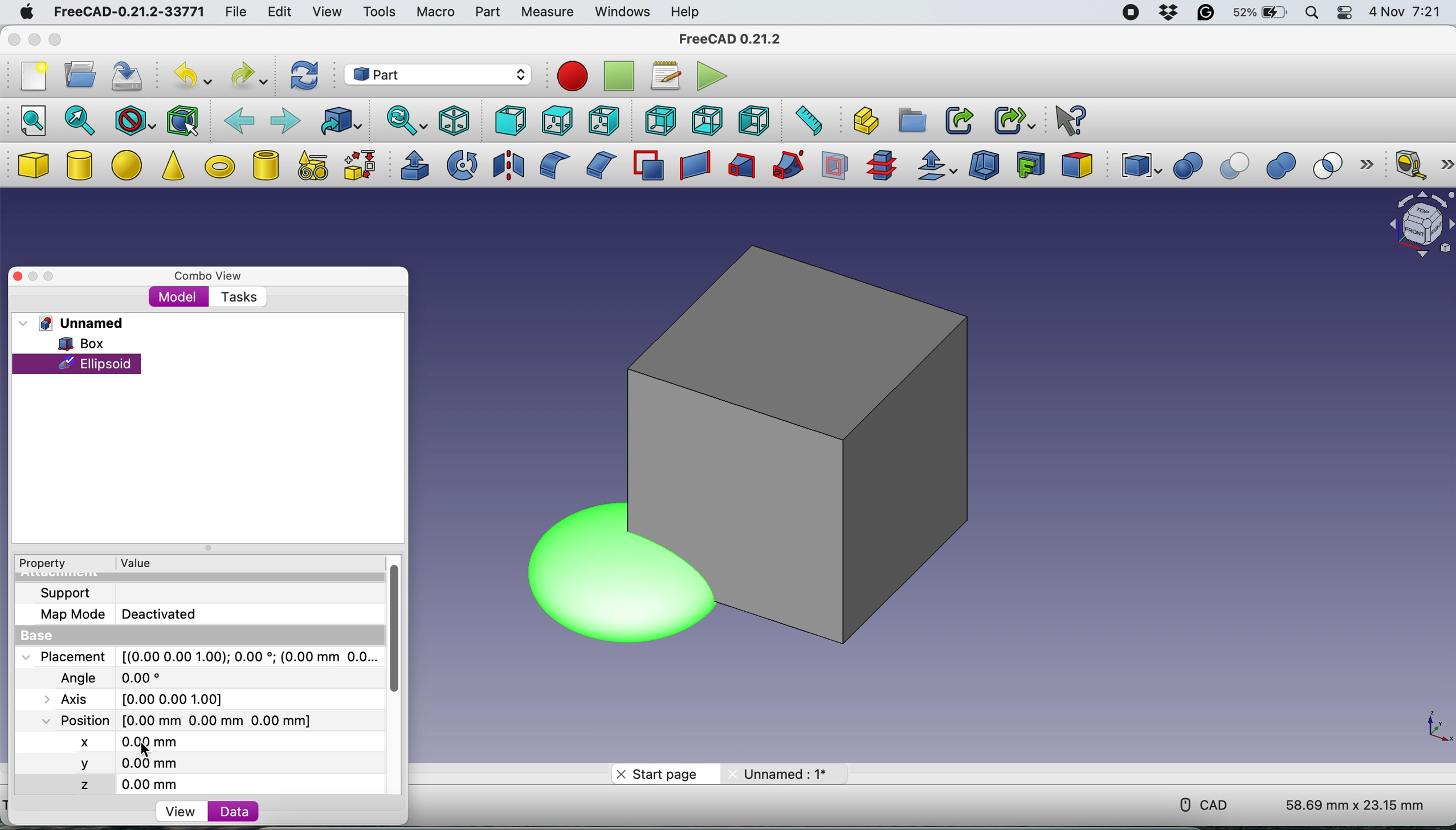 The width and height of the screenshot is (1456, 830). What do you see at coordinates (455, 120) in the screenshot?
I see `isometric view` at bounding box center [455, 120].